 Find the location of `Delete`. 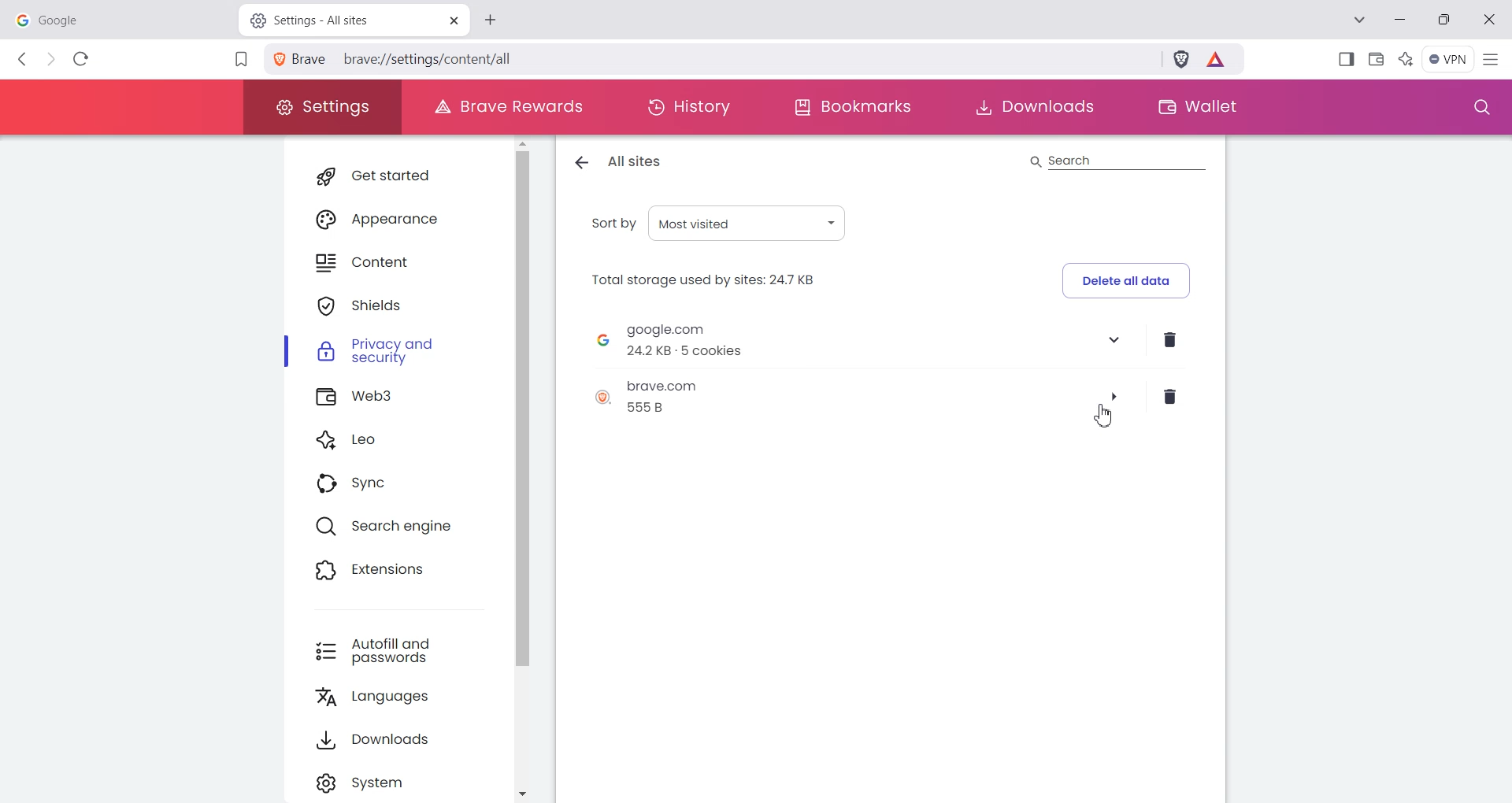

Delete is located at coordinates (1170, 394).